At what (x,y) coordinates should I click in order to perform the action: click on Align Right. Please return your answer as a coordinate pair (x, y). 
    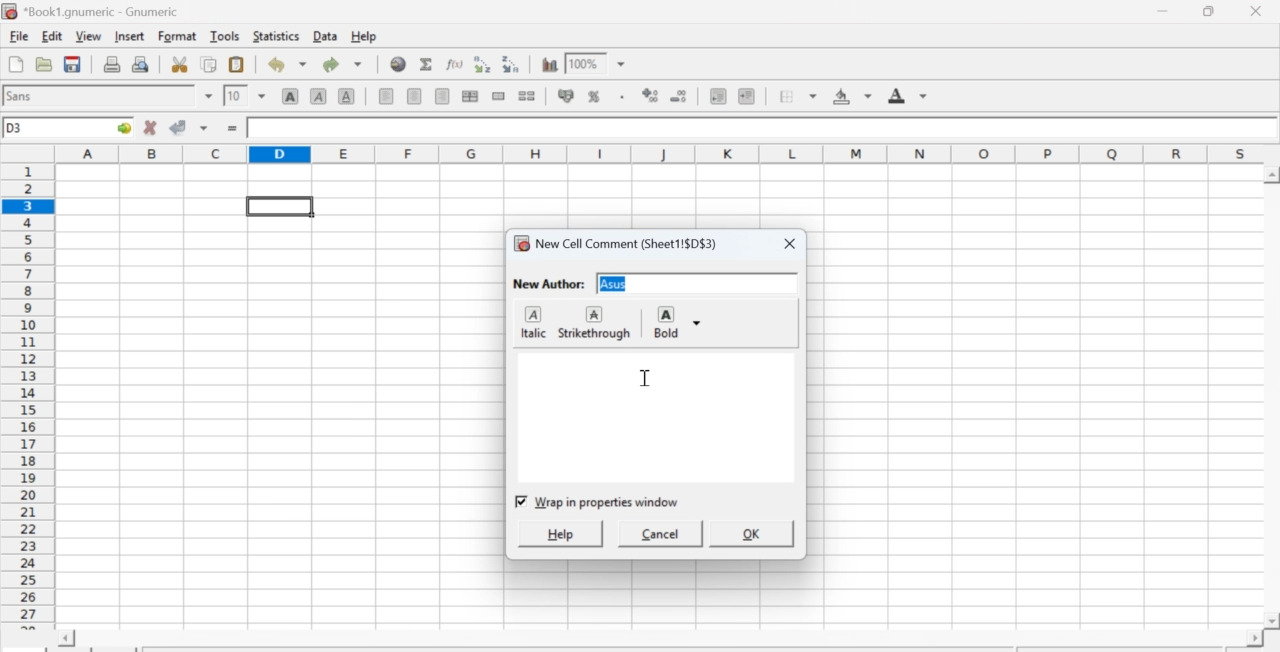
    Looking at the image, I should click on (443, 97).